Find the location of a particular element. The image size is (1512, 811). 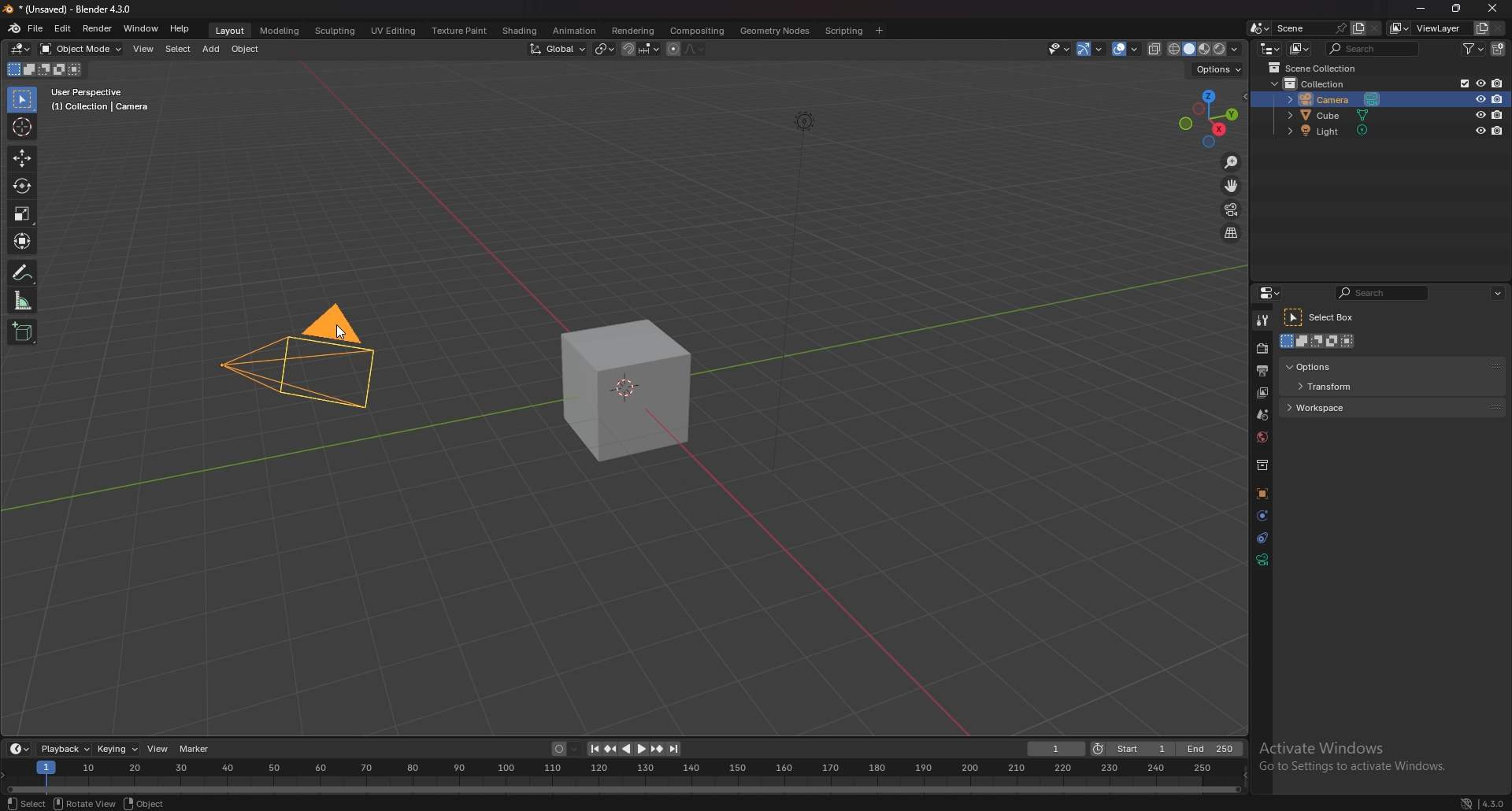

help is located at coordinates (180, 29).